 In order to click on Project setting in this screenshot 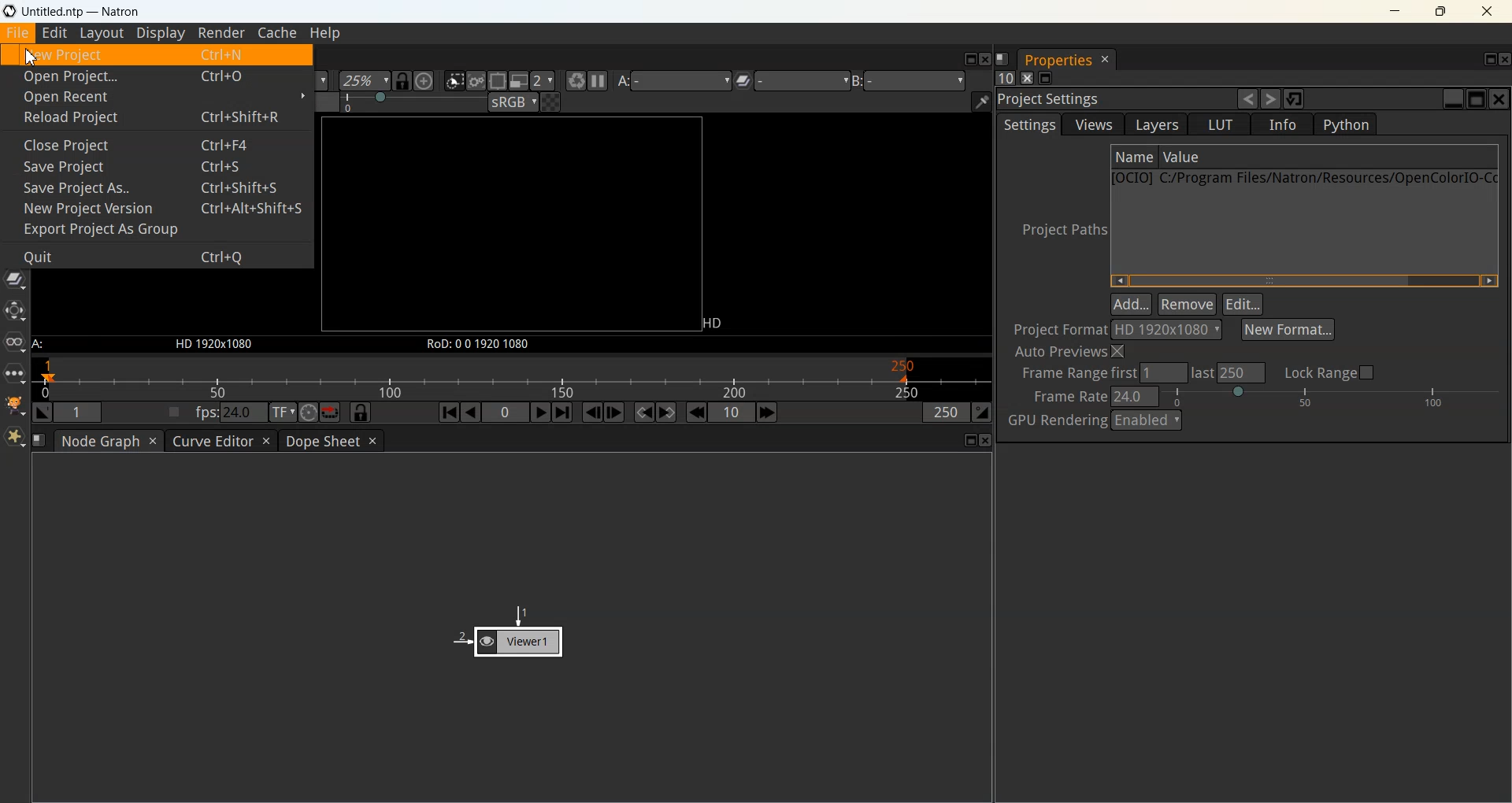, I will do `click(1114, 100)`.